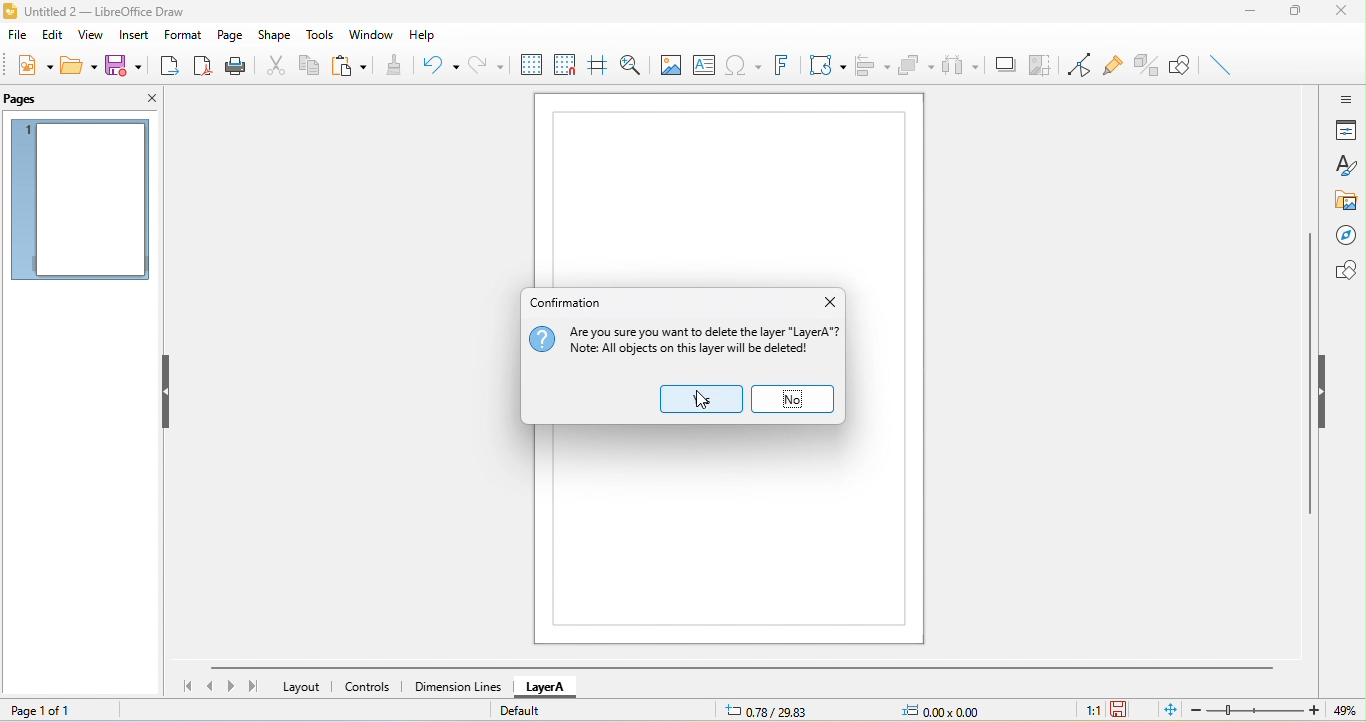  Describe the element at coordinates (422, 34) in the screenshot. I see `help` at that location.